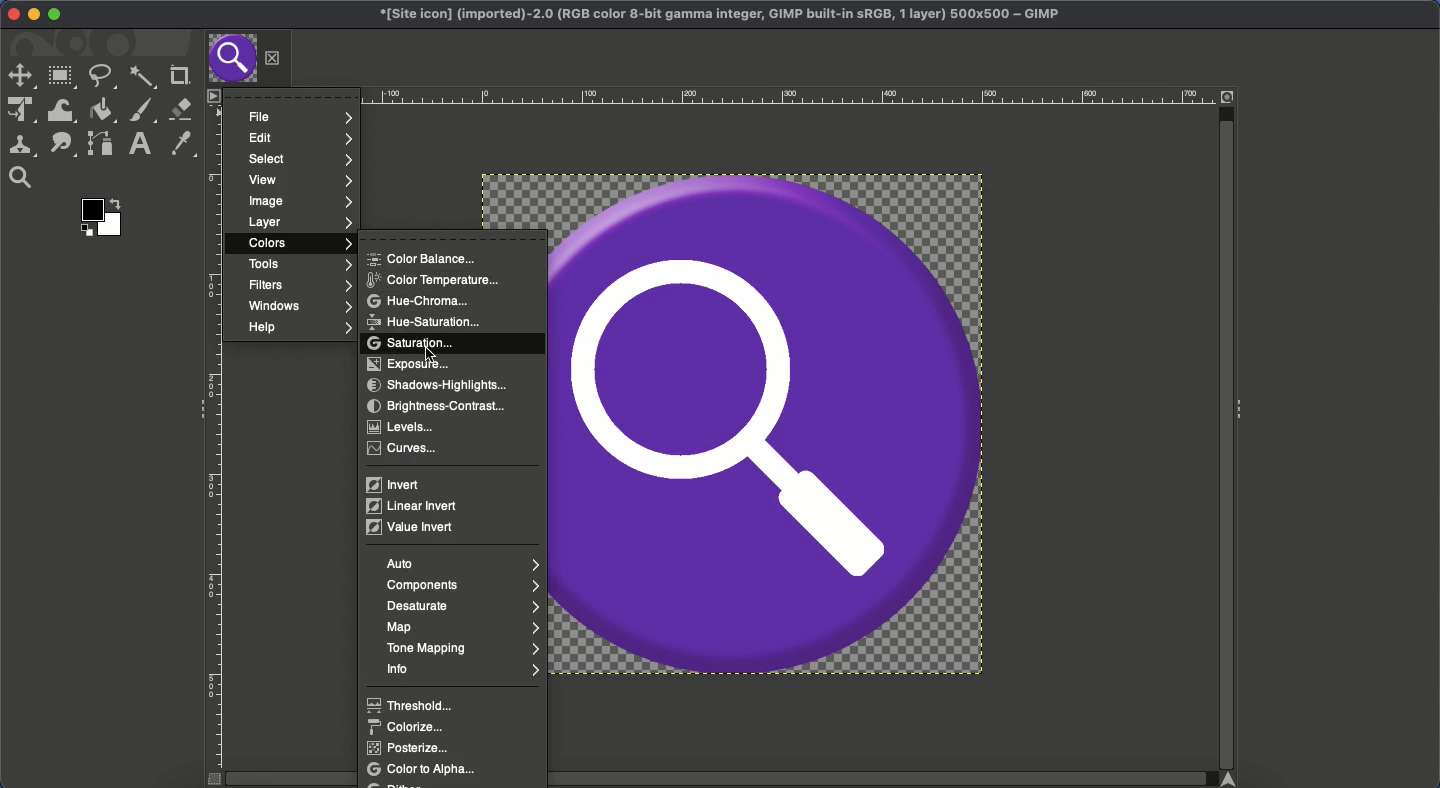 The image size is (1440, 788). What do you see at coordinates (12, 13) in the screenshot?
I see `Close` at bounding box center [12, 13].